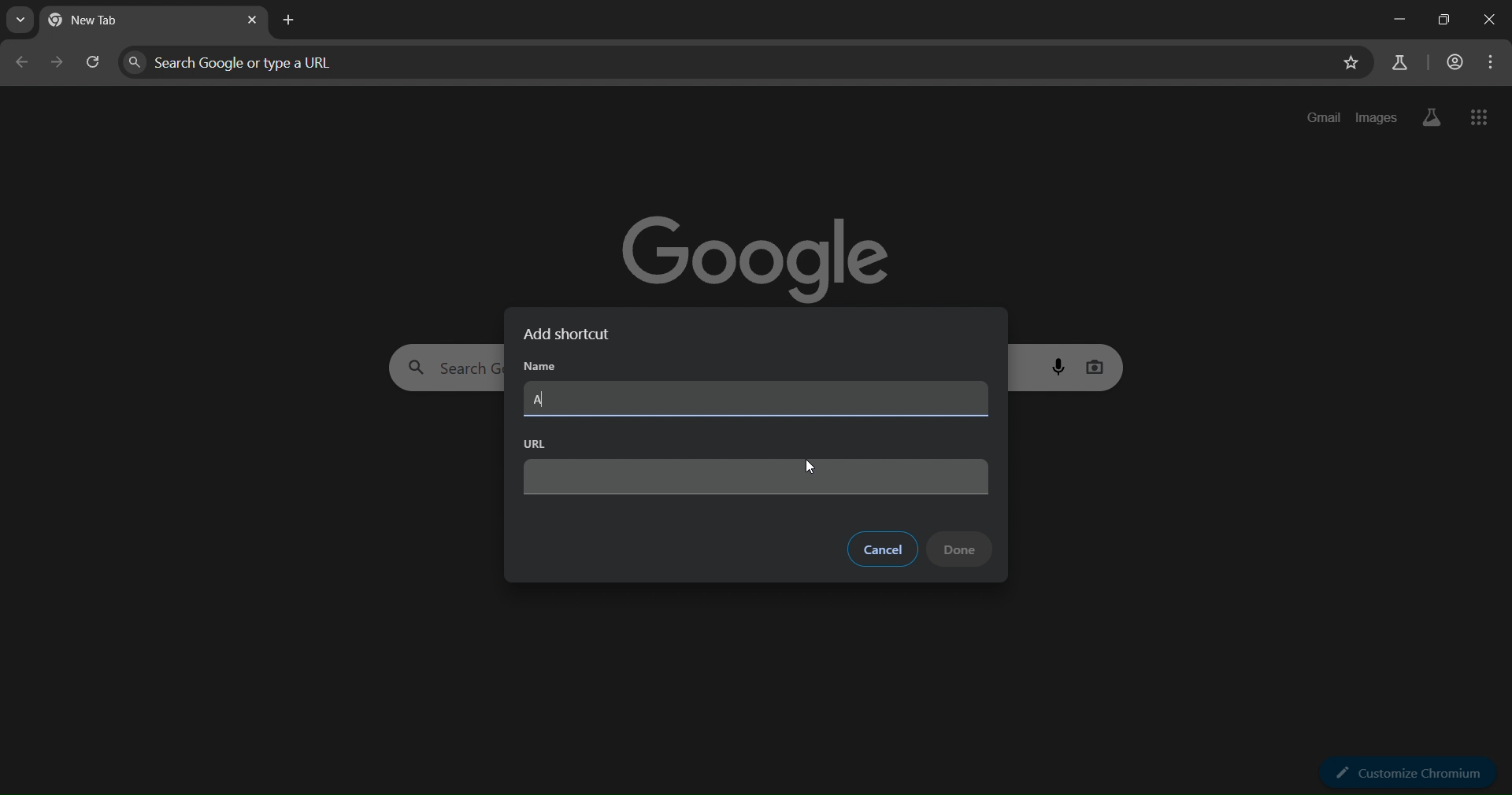 The width and height of the screenshot is (1512, 795). Describe the element at coordinates (21, 66) in the screenshot. I see `go back one page` at that location.